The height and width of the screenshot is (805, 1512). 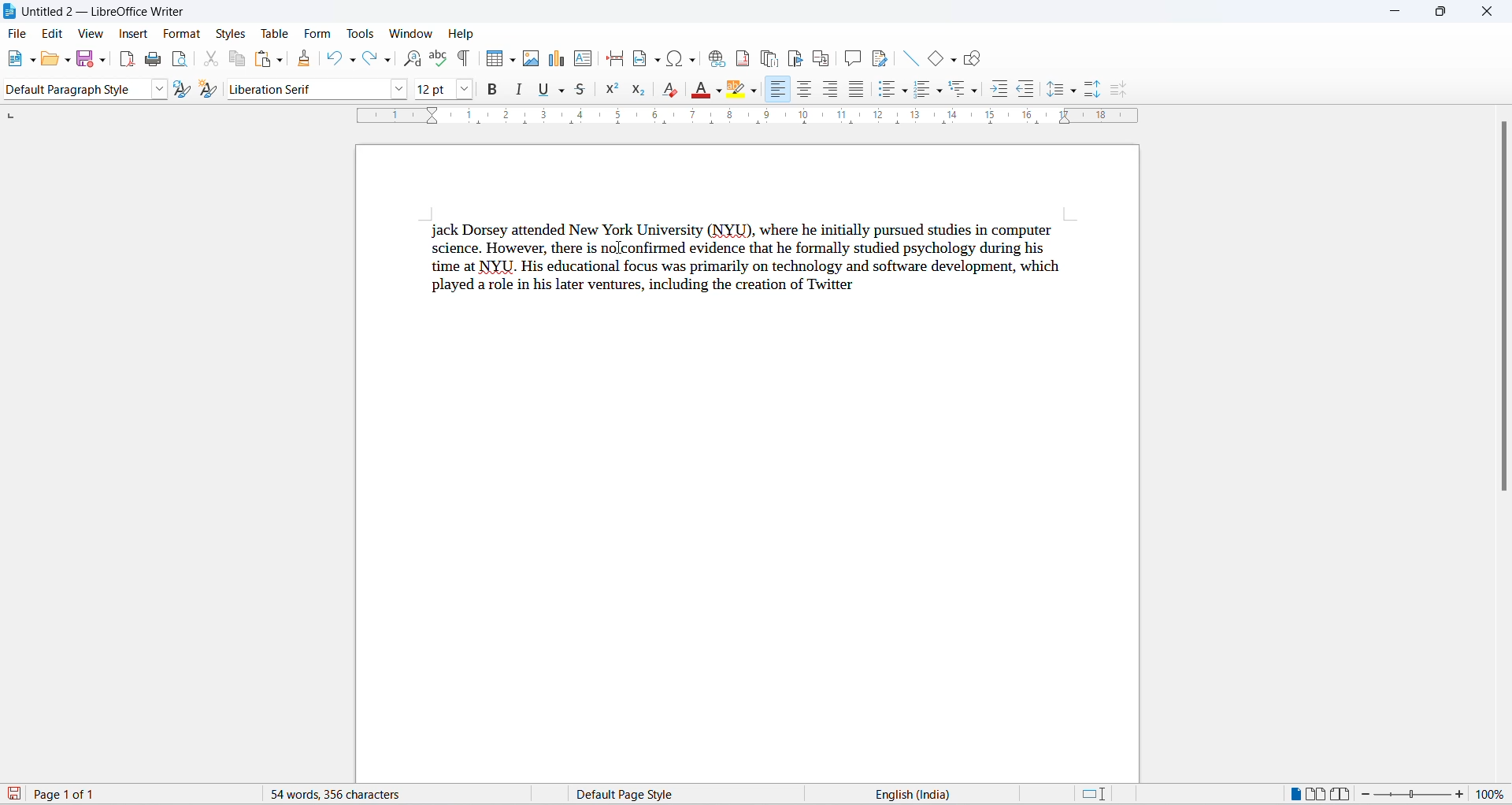 What do you see at coordinates (460, 34) in the screenshot?
I see `help` at bounding box center [460, 34].